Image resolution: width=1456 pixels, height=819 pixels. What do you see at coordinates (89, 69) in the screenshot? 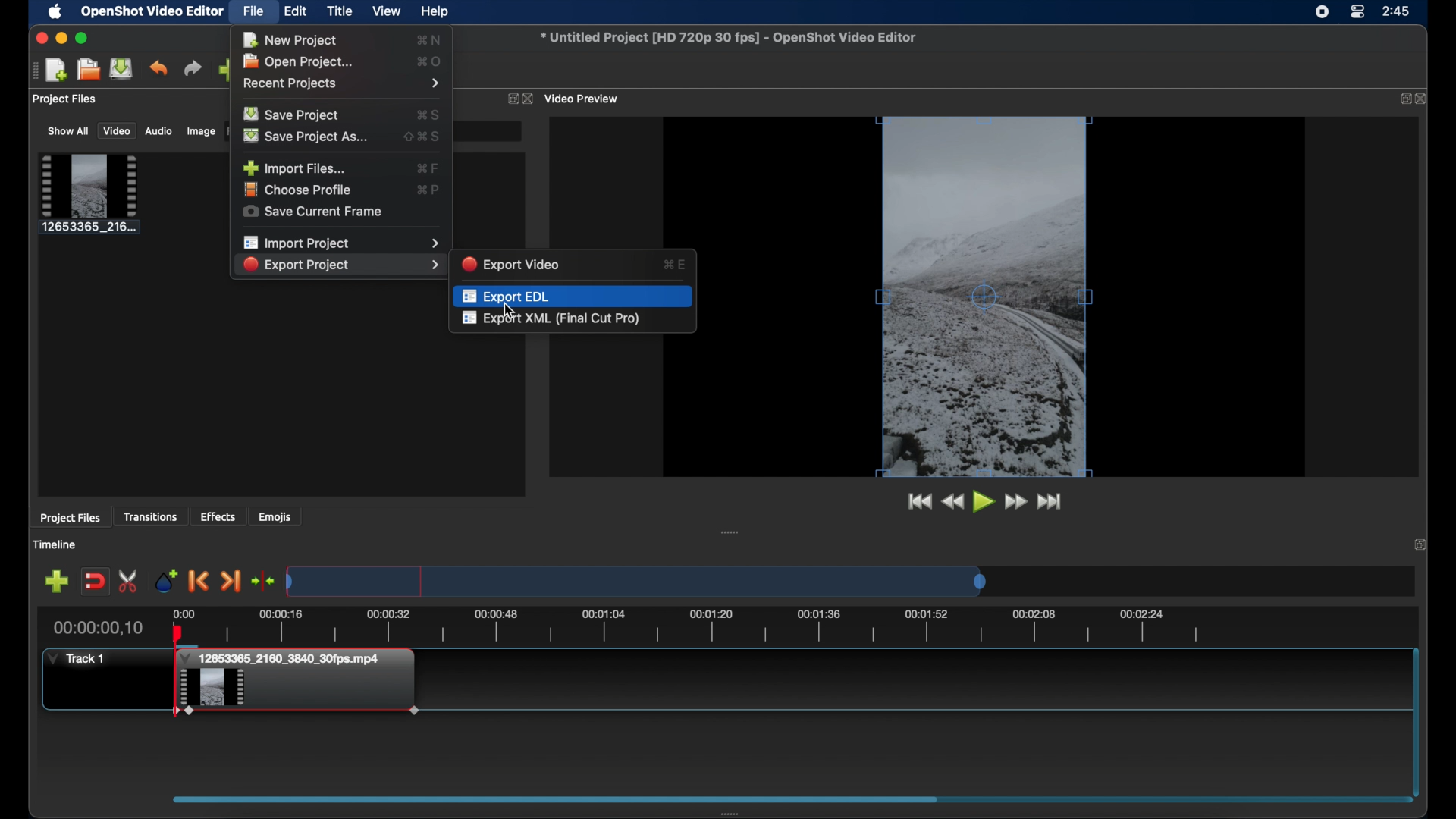
I see `open project` at bounding box center [89, 69].